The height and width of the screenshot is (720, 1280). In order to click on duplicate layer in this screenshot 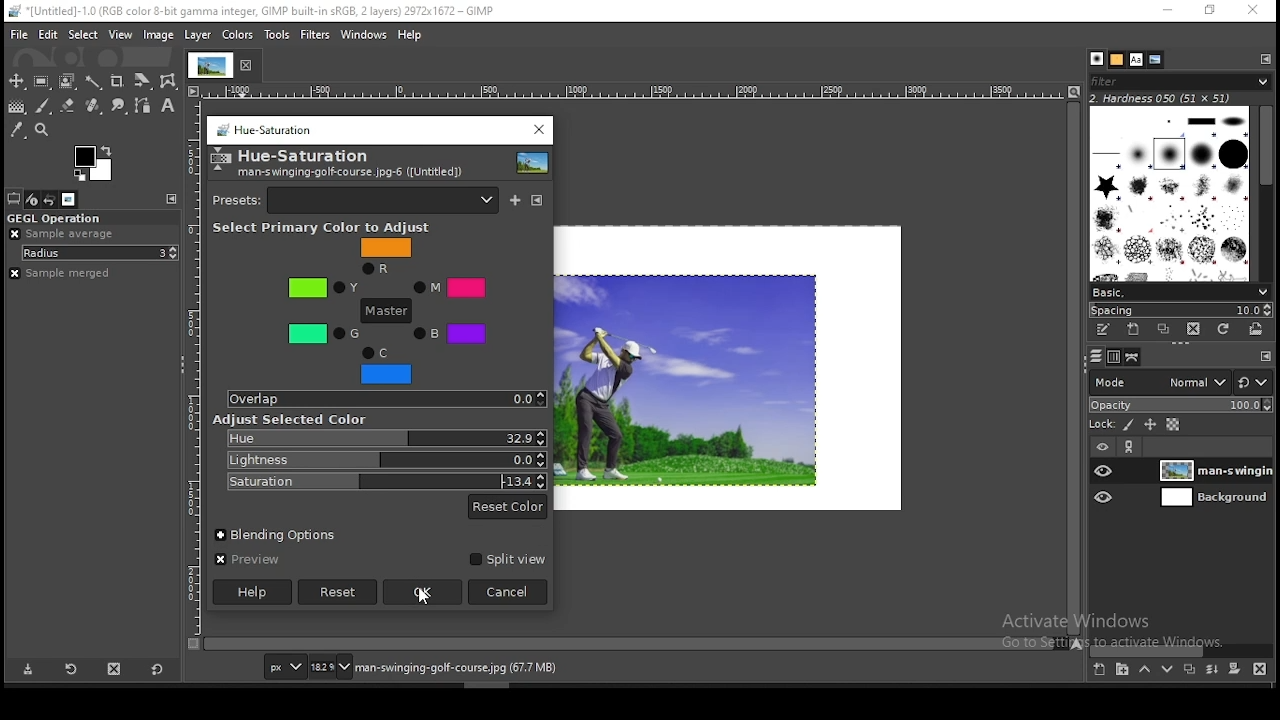, I will do `click(1190, 669)`.